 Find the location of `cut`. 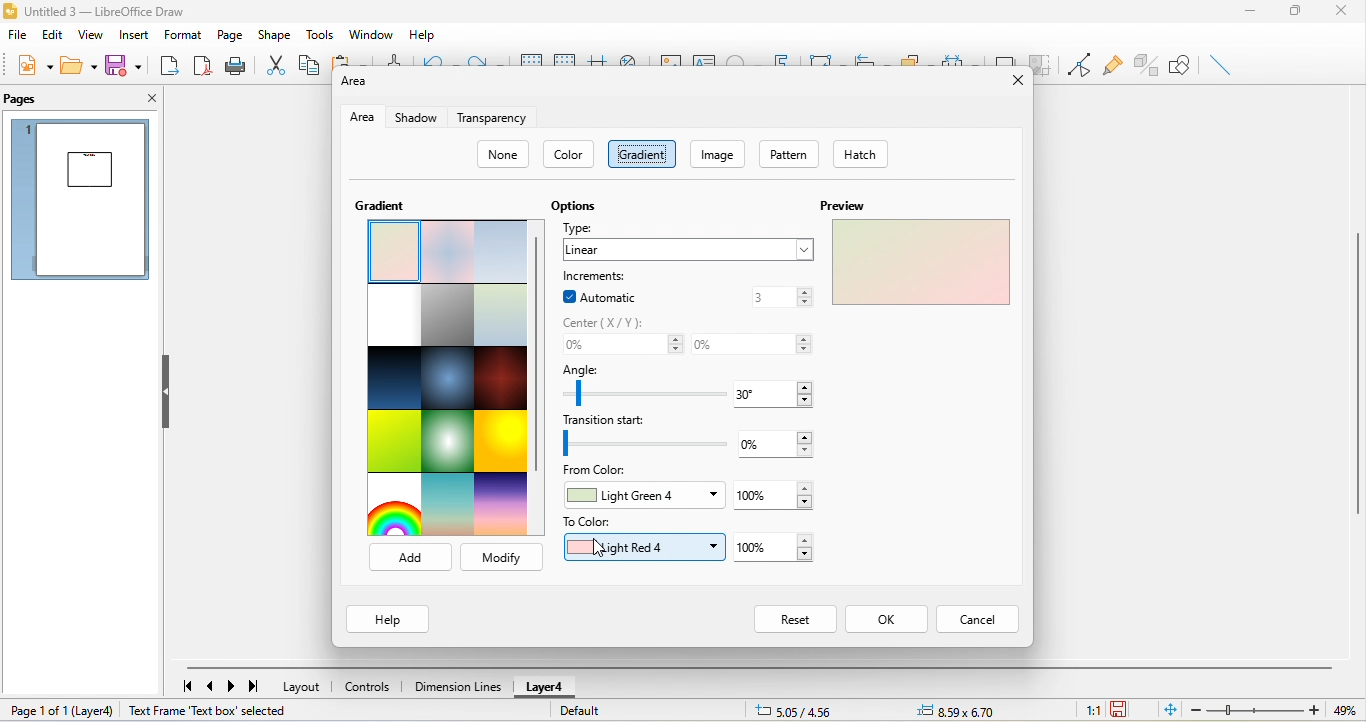

cut is located at coordinates (277, 66).